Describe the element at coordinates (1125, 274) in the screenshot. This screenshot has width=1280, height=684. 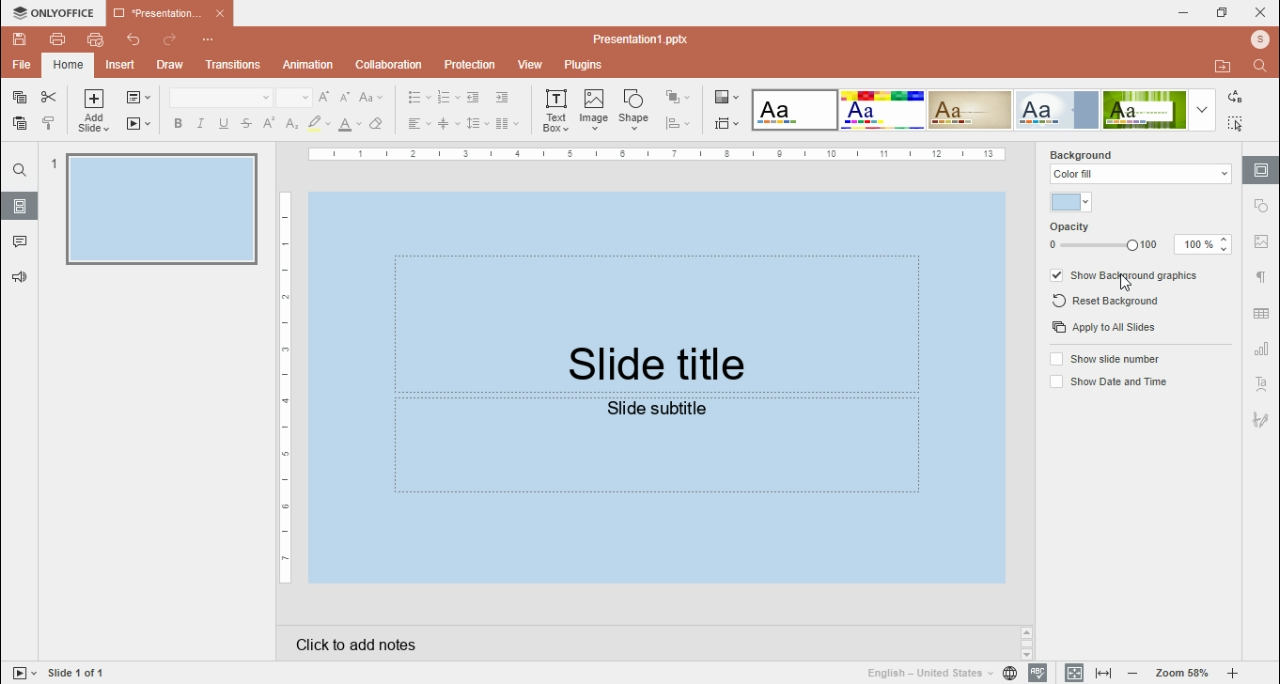
I see `checkbox: show background graphics` at that location.